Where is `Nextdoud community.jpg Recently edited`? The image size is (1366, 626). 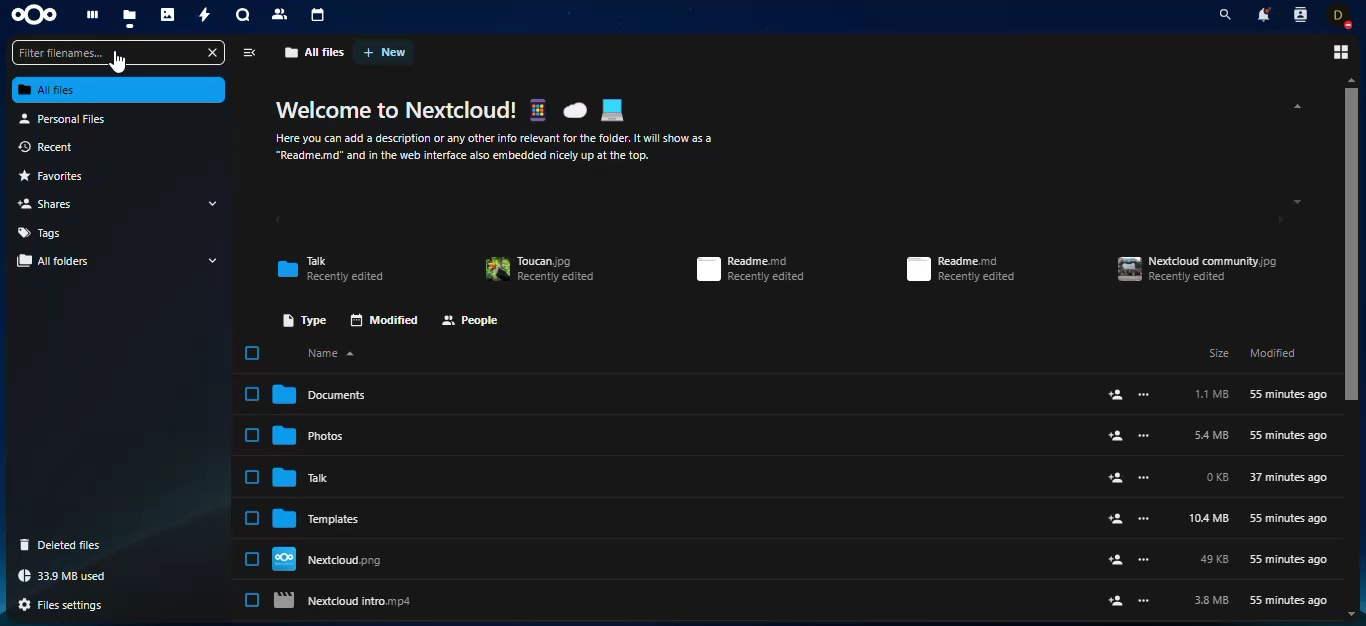
Nextdoud community.jpg Recently edited is located at coordinates (1198, 269).